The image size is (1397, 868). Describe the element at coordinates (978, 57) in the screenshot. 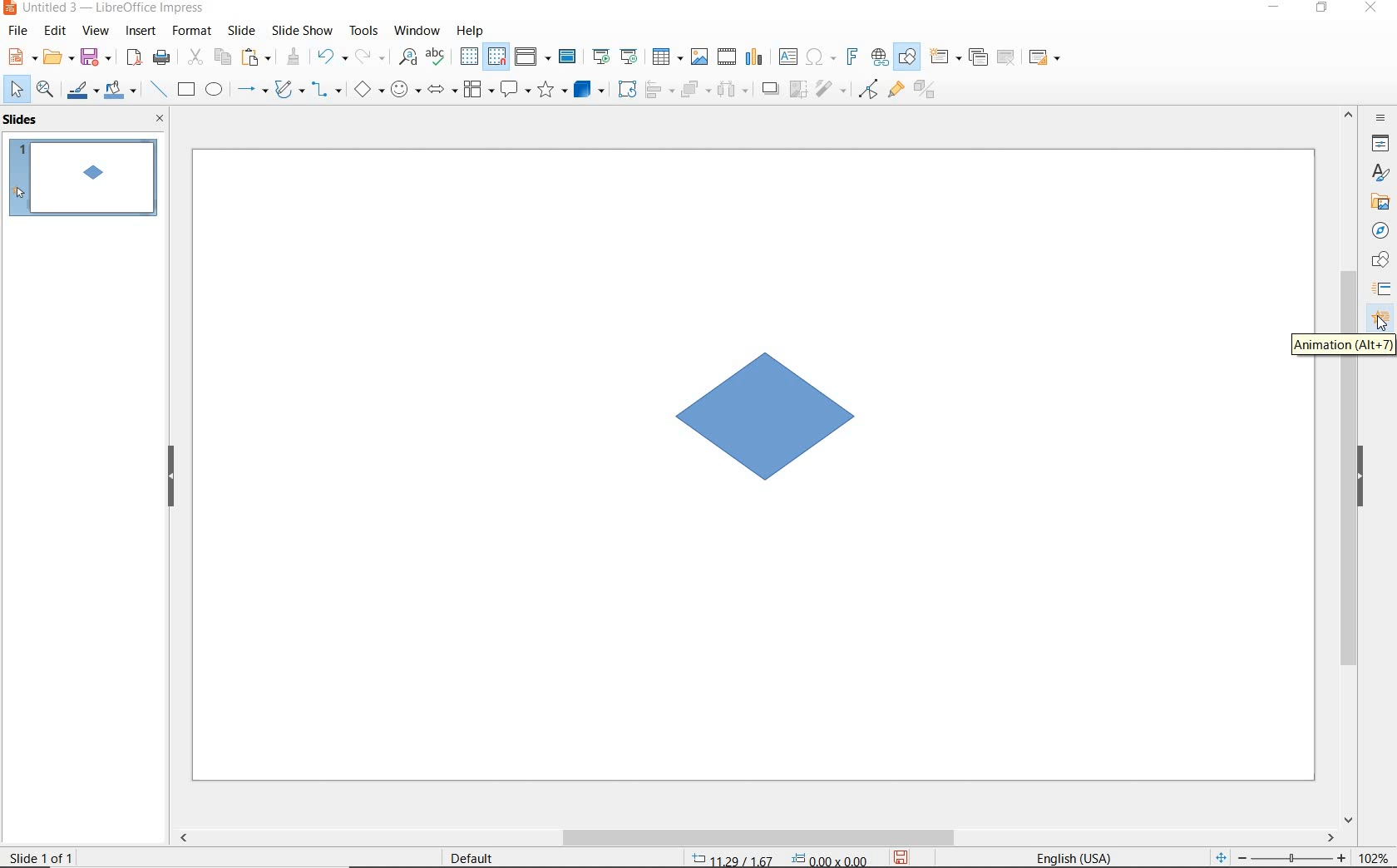

I see `duplicate slide` at that location.